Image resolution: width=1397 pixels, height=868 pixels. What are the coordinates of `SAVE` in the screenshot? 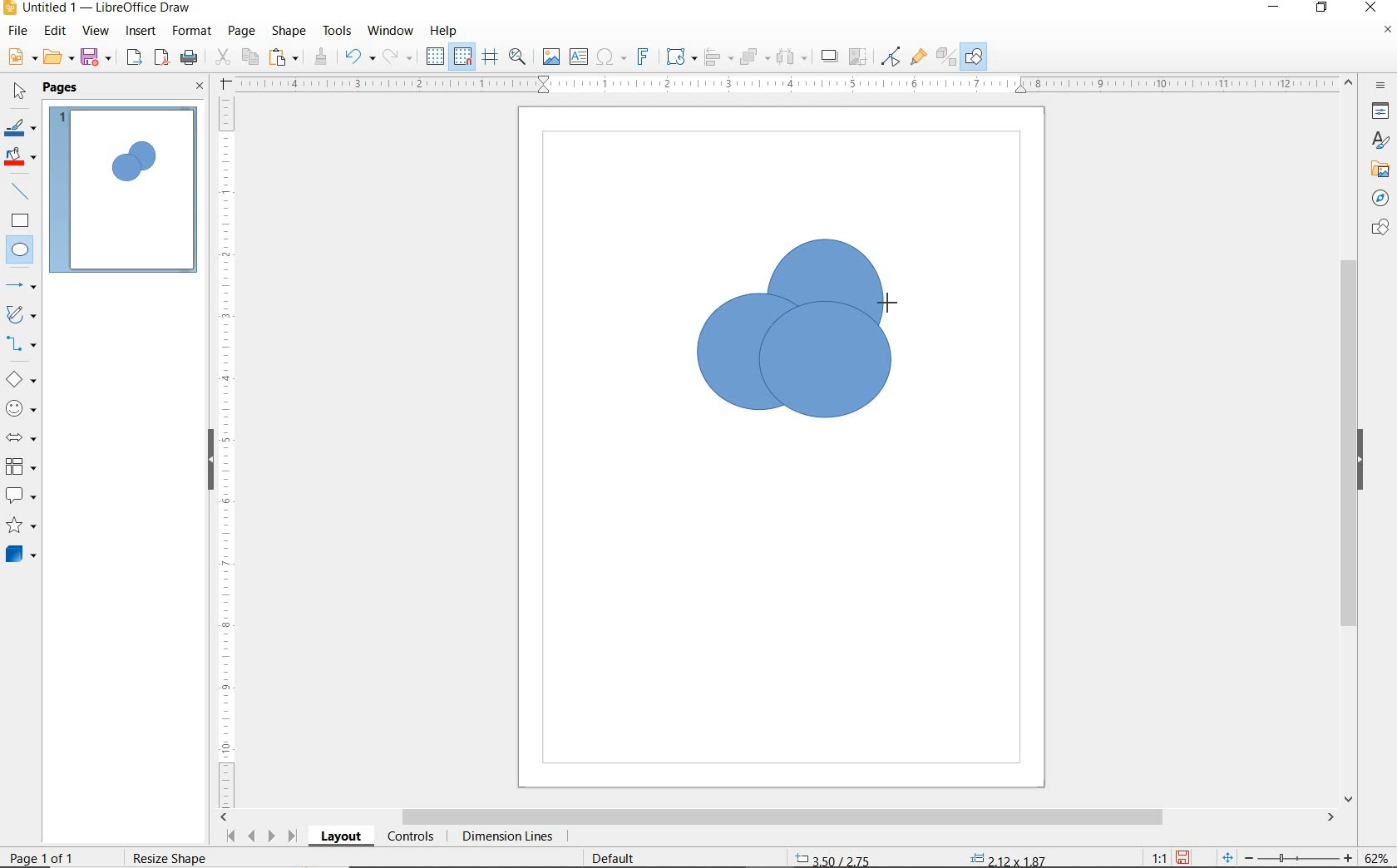 It's located at (1185, 856).